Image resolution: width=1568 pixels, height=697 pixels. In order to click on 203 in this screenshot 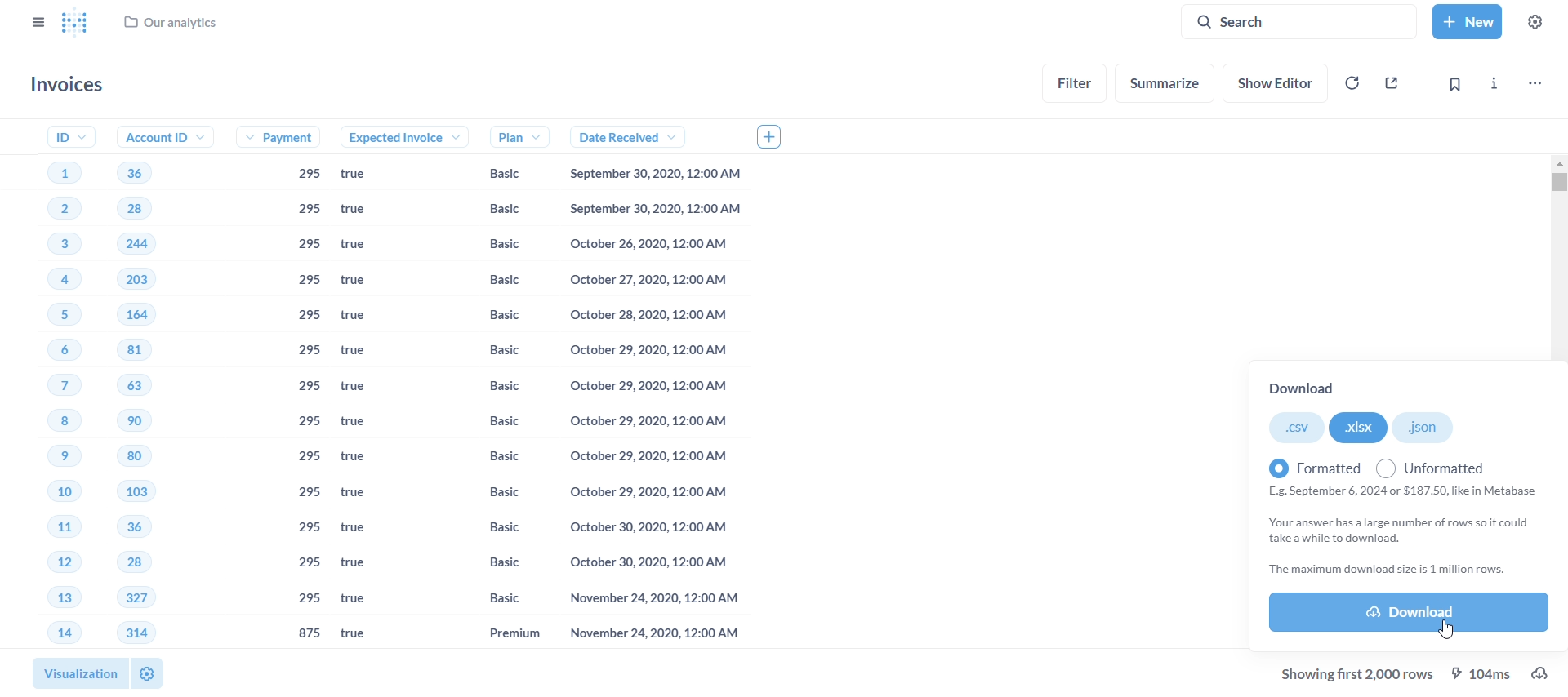, I will do `click(144, 279)`.